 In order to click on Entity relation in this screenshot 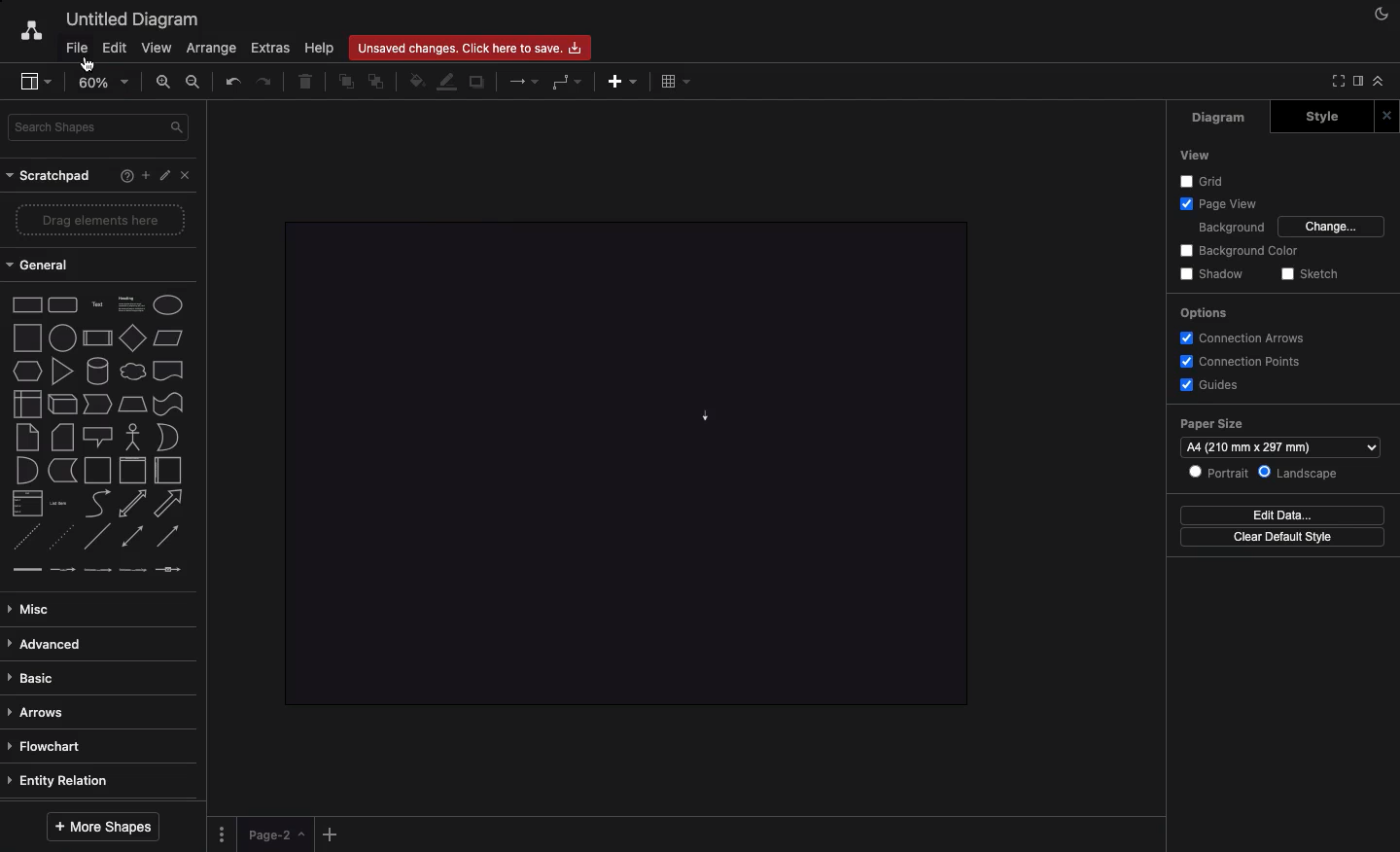, I will do `click(67, 780)`.